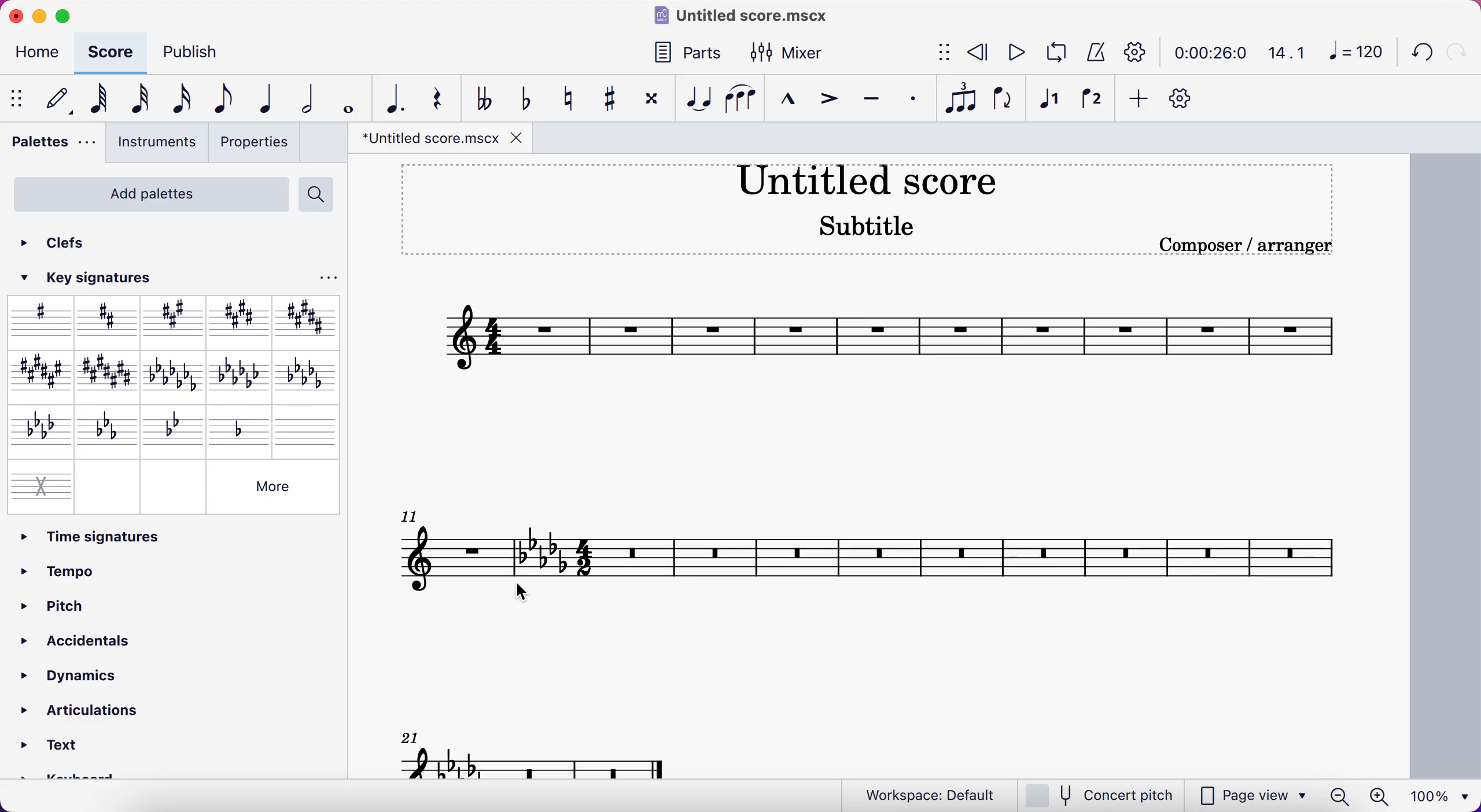 The width and height of the screenshot is (1481, 812). I want to click on minimize, so click(43, 16).